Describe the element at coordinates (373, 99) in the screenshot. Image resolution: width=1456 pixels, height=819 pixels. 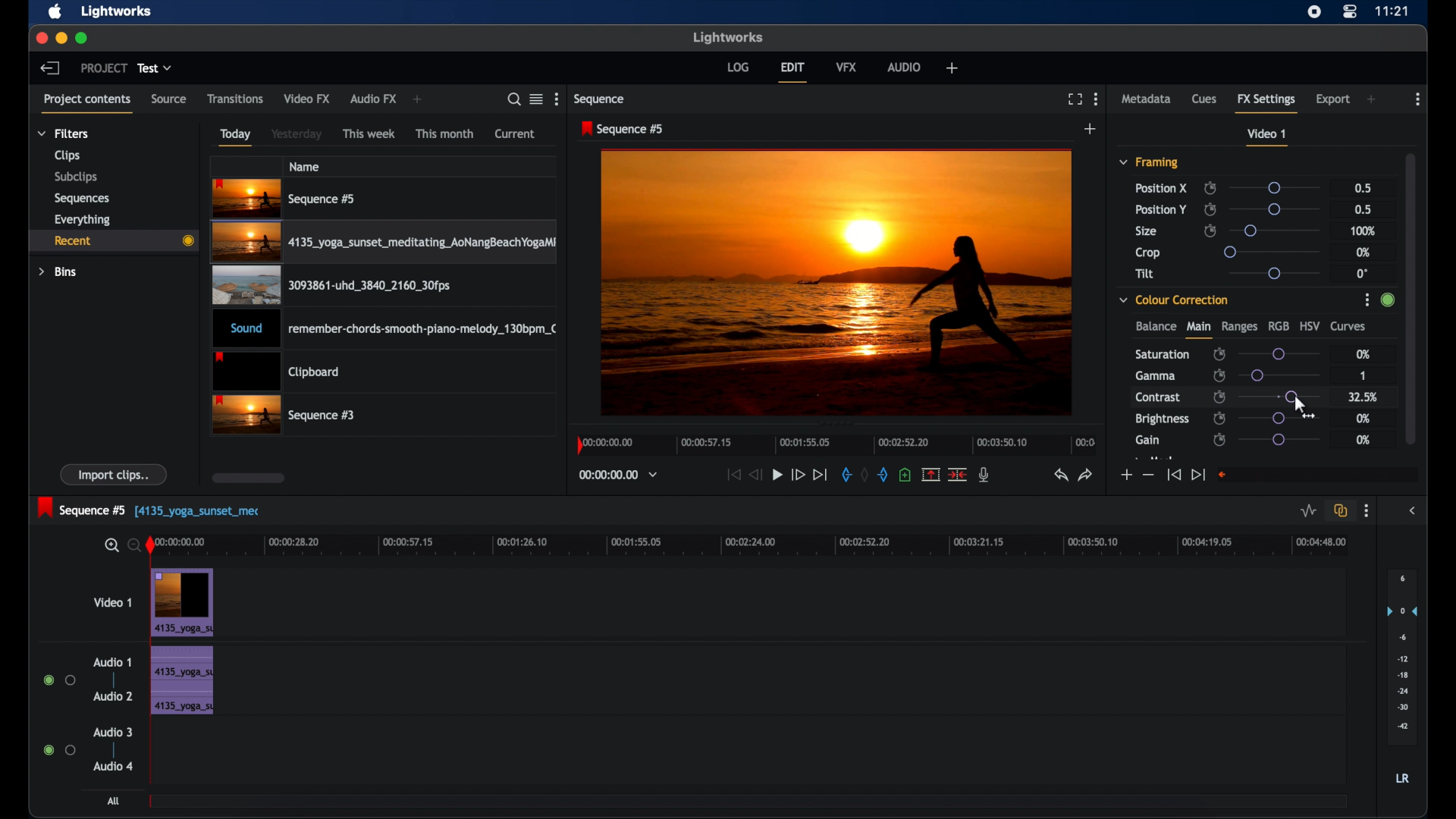
I see `audio fx` at that location.